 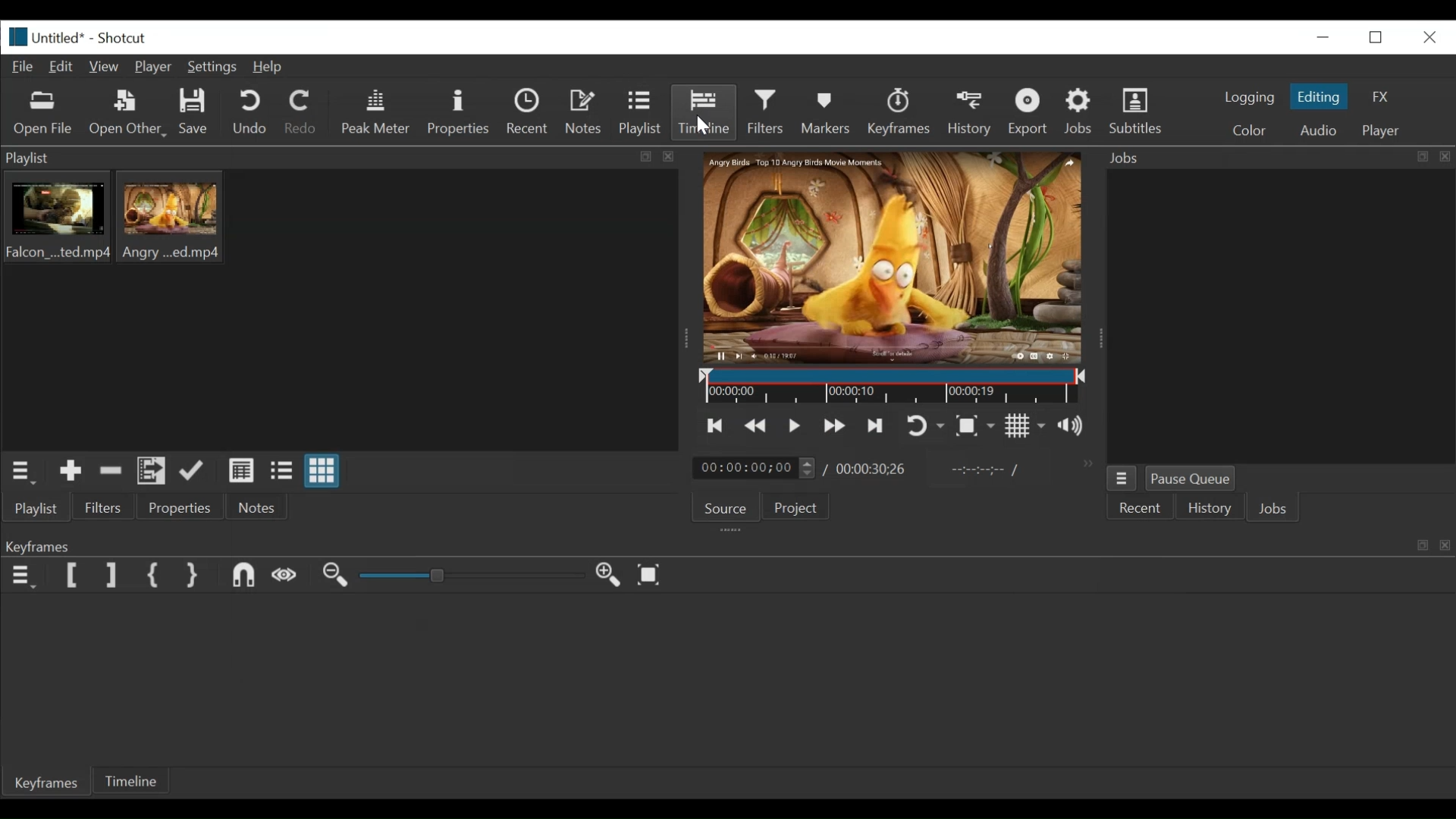 What do you see at coordinates (795, 425) in the screenshot?
I see `Toggle play or pause` at bounding box center [795, 425].